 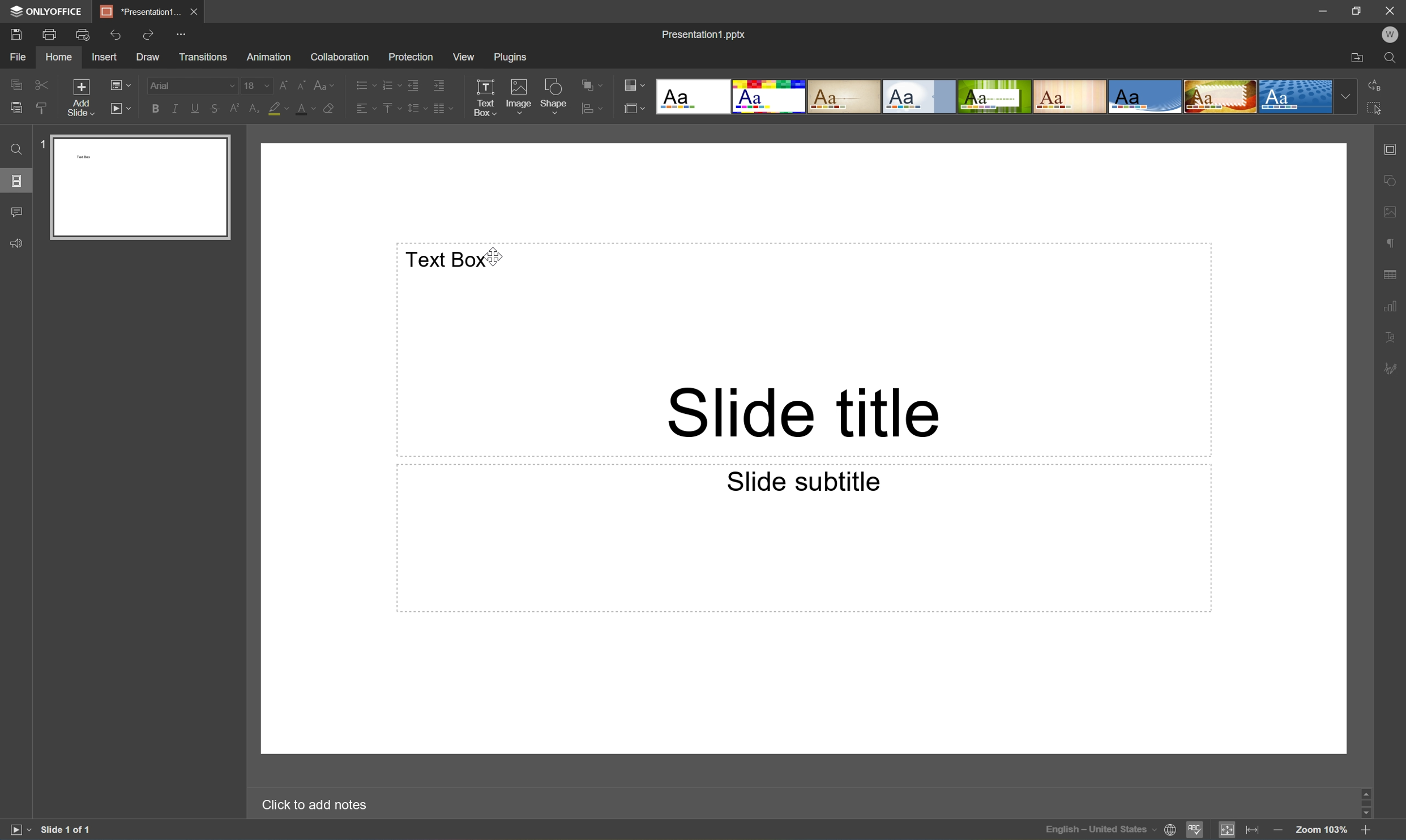 I want to click on Change color theme, so click(x=632, y=83).